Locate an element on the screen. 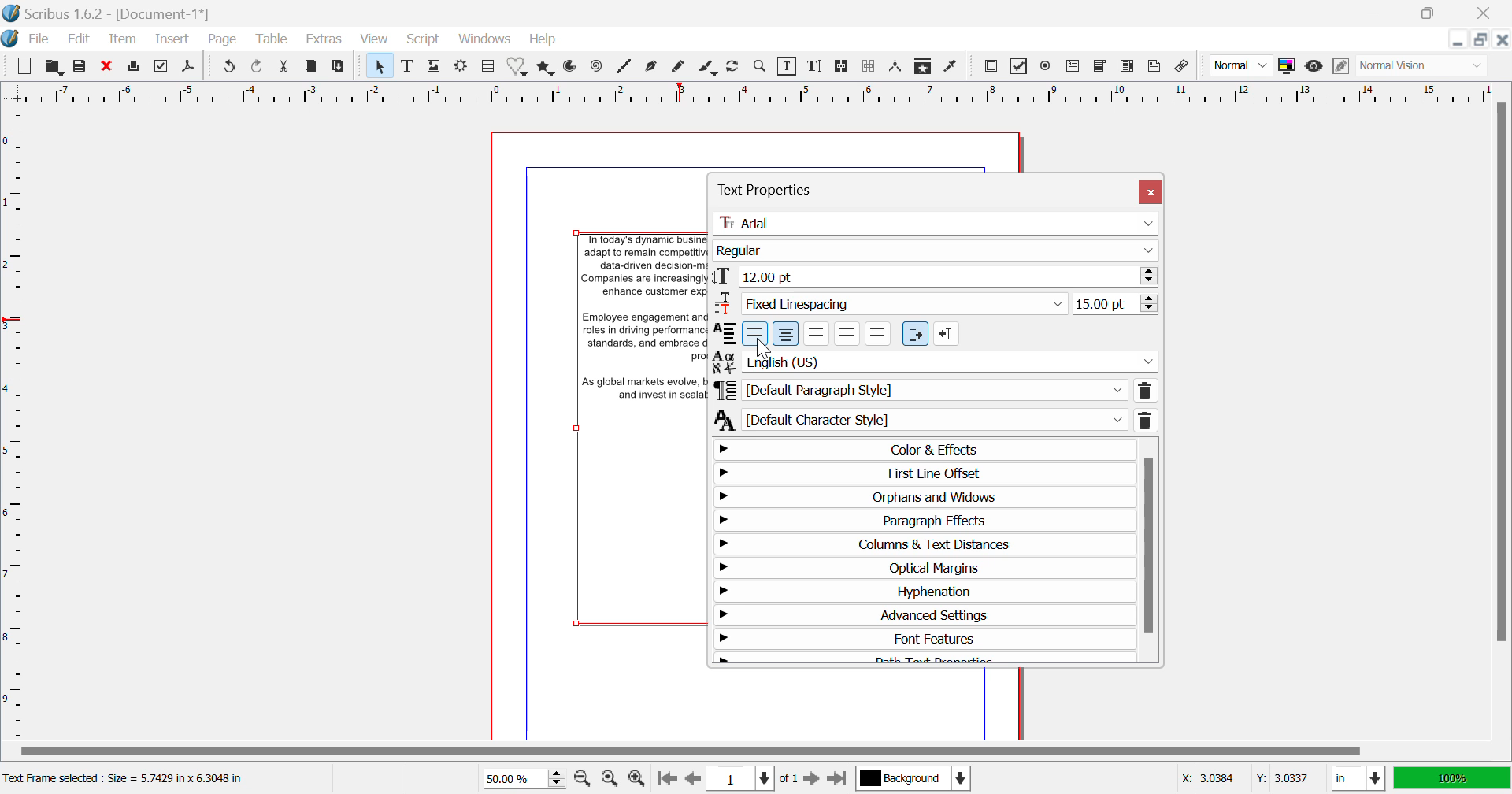 This screenshot has height=794, width=1512. Scribus 1.62 - [Document 1*] is located at coordinates (110, 13).